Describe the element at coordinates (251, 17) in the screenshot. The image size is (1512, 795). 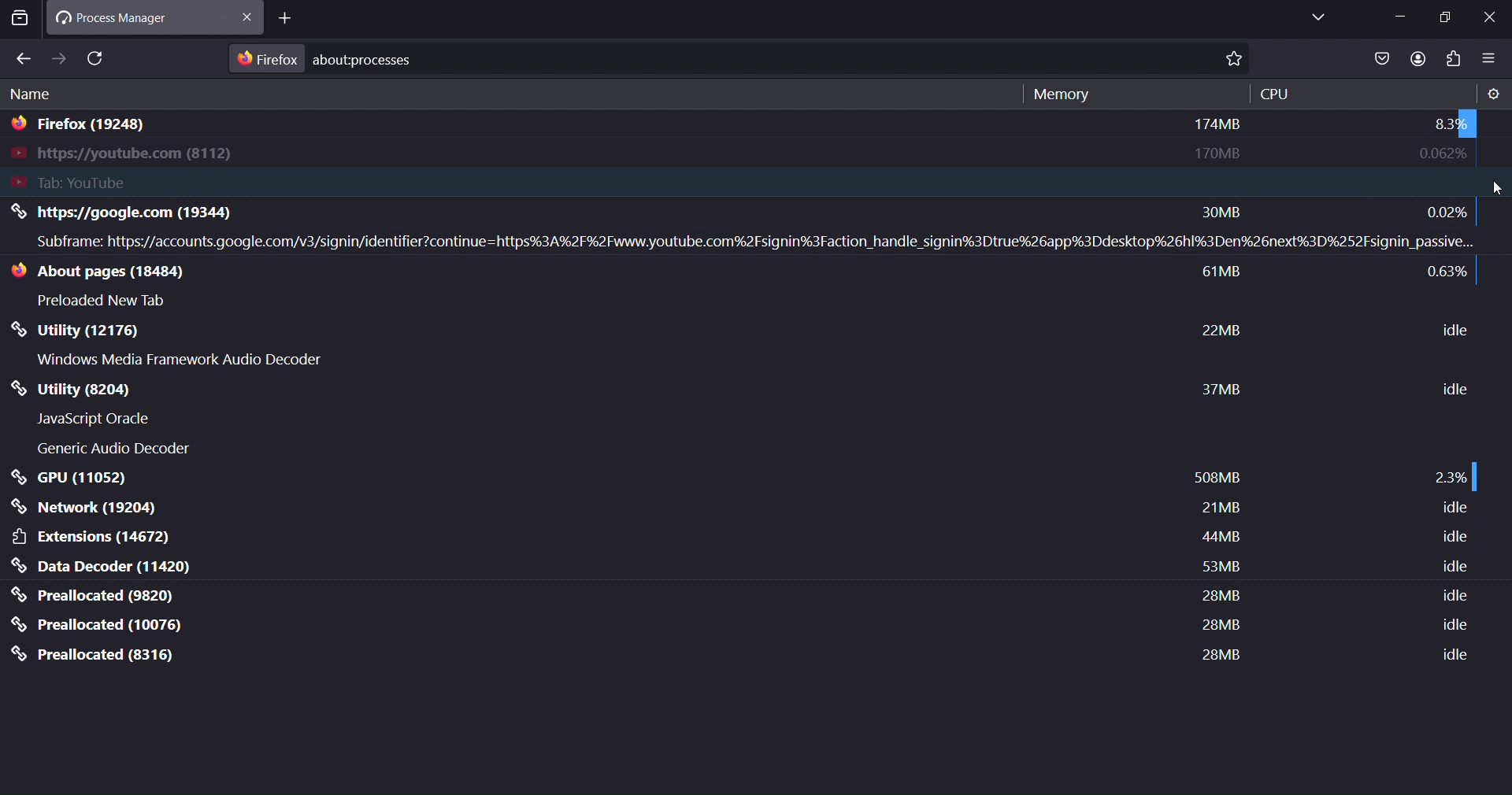
I see `close page` at that location.